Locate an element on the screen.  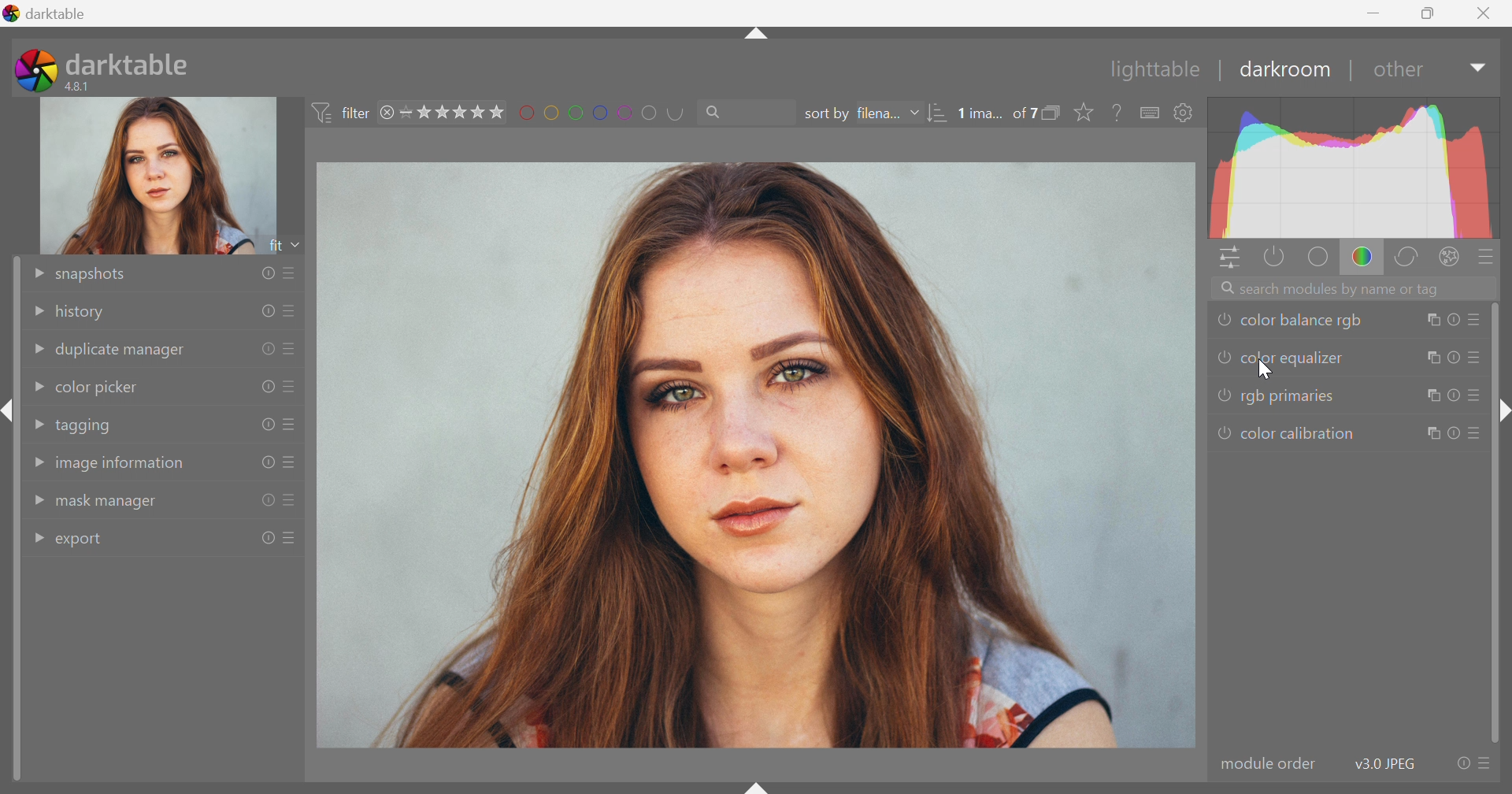
image information is located at coordinates (121, 467).